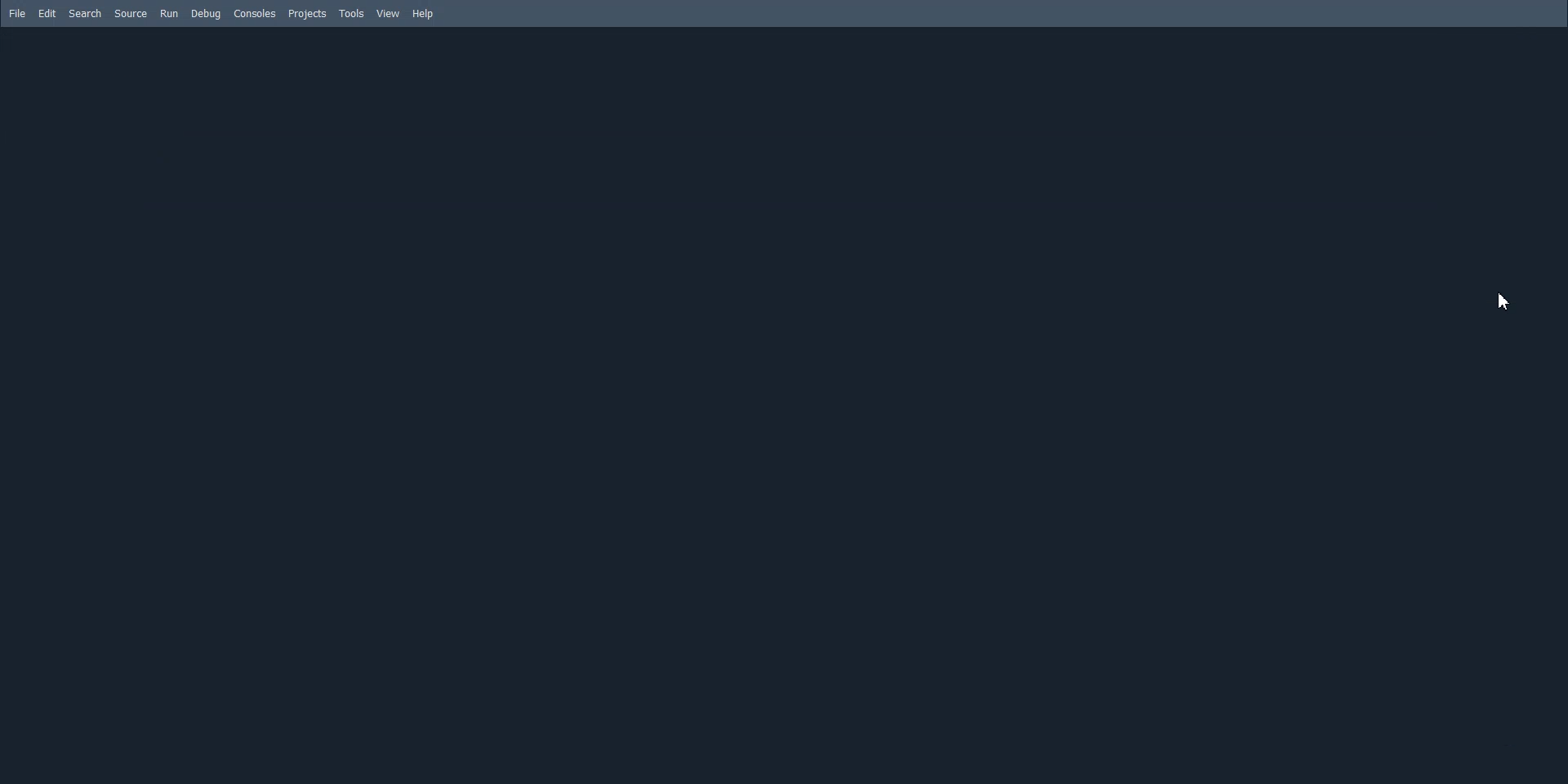 The height and width of the screenshot is (784, 1568). I want to click on Projects, so click(307, 14).